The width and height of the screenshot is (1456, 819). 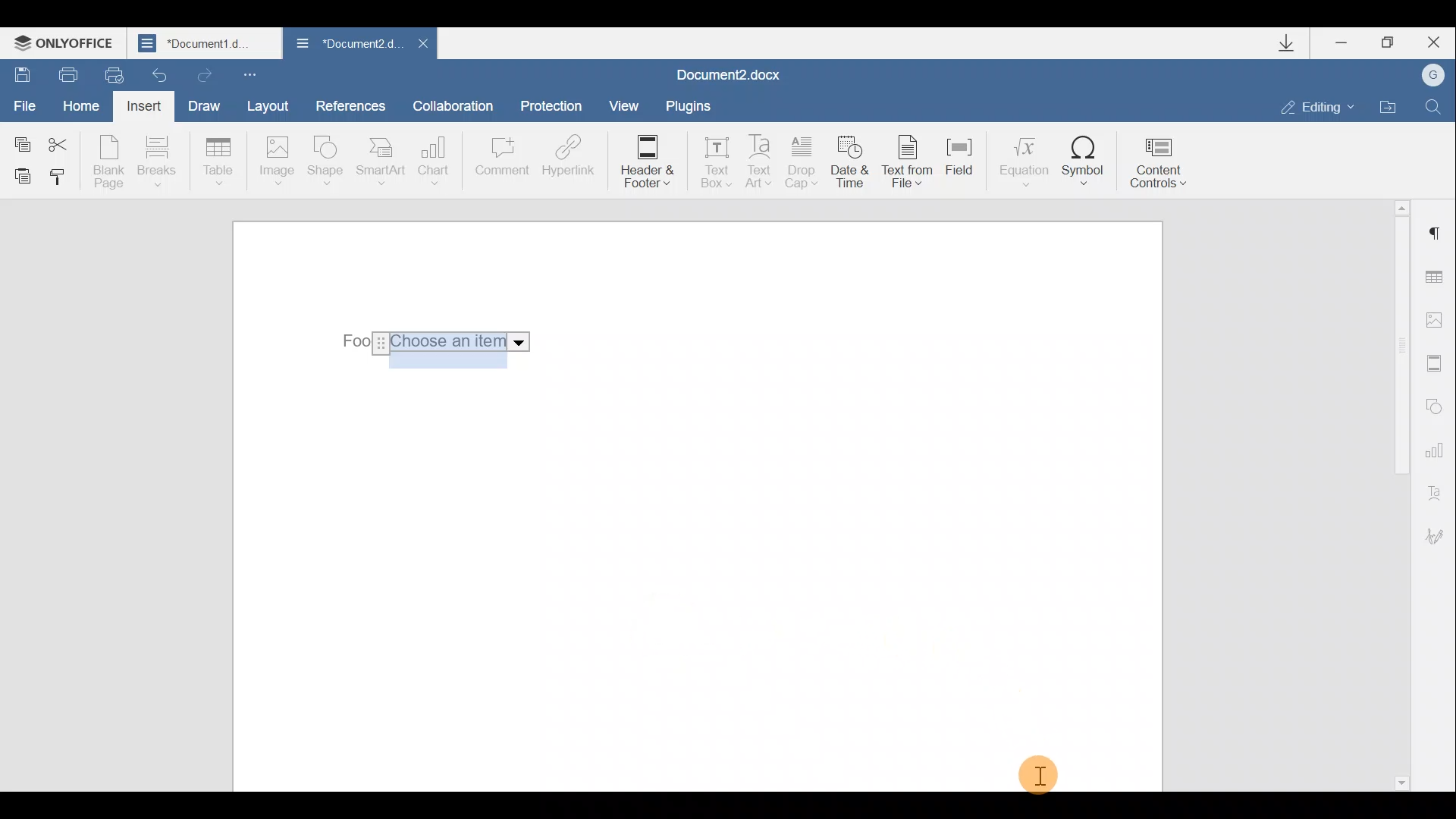 I want to click on ONLYOFFICE, so click(x=67, y=42).